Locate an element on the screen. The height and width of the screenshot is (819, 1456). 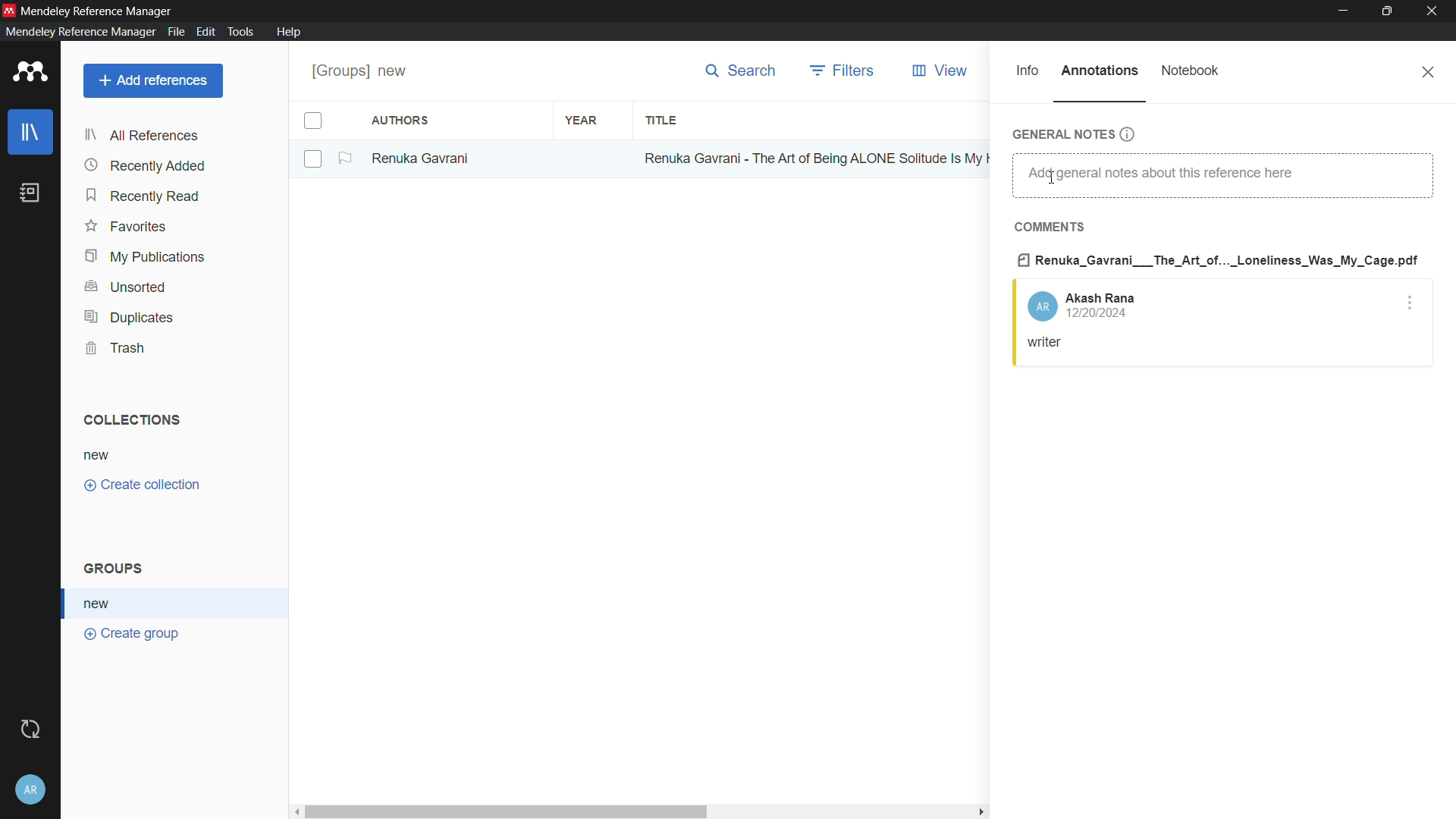
Akash Rana 12/20/2024 is located at coordinates (1105, 306).